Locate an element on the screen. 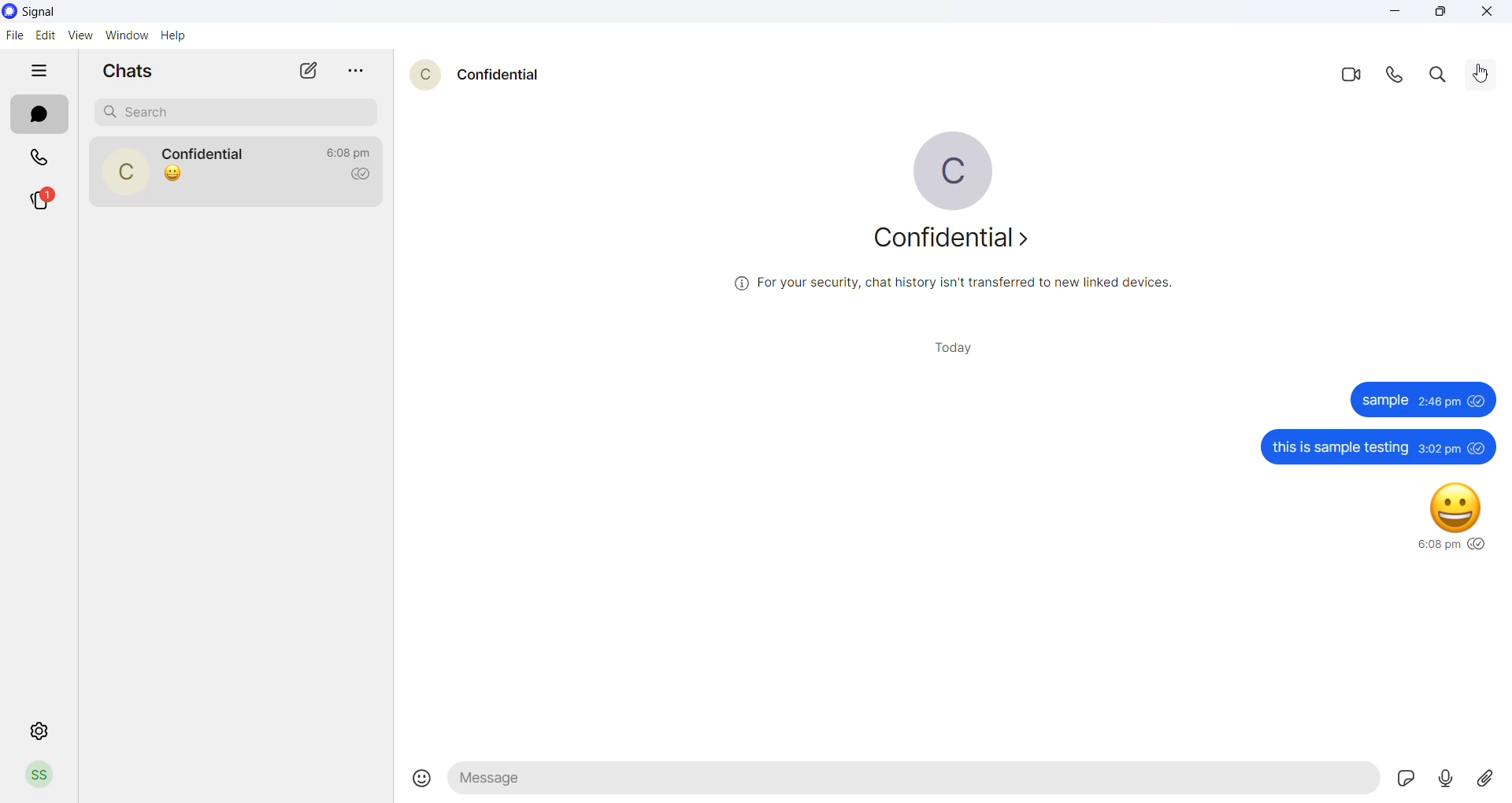 Image resolution: width=1512 pixels, height=803 pixels. sample is located at coordinates (1384, 401).